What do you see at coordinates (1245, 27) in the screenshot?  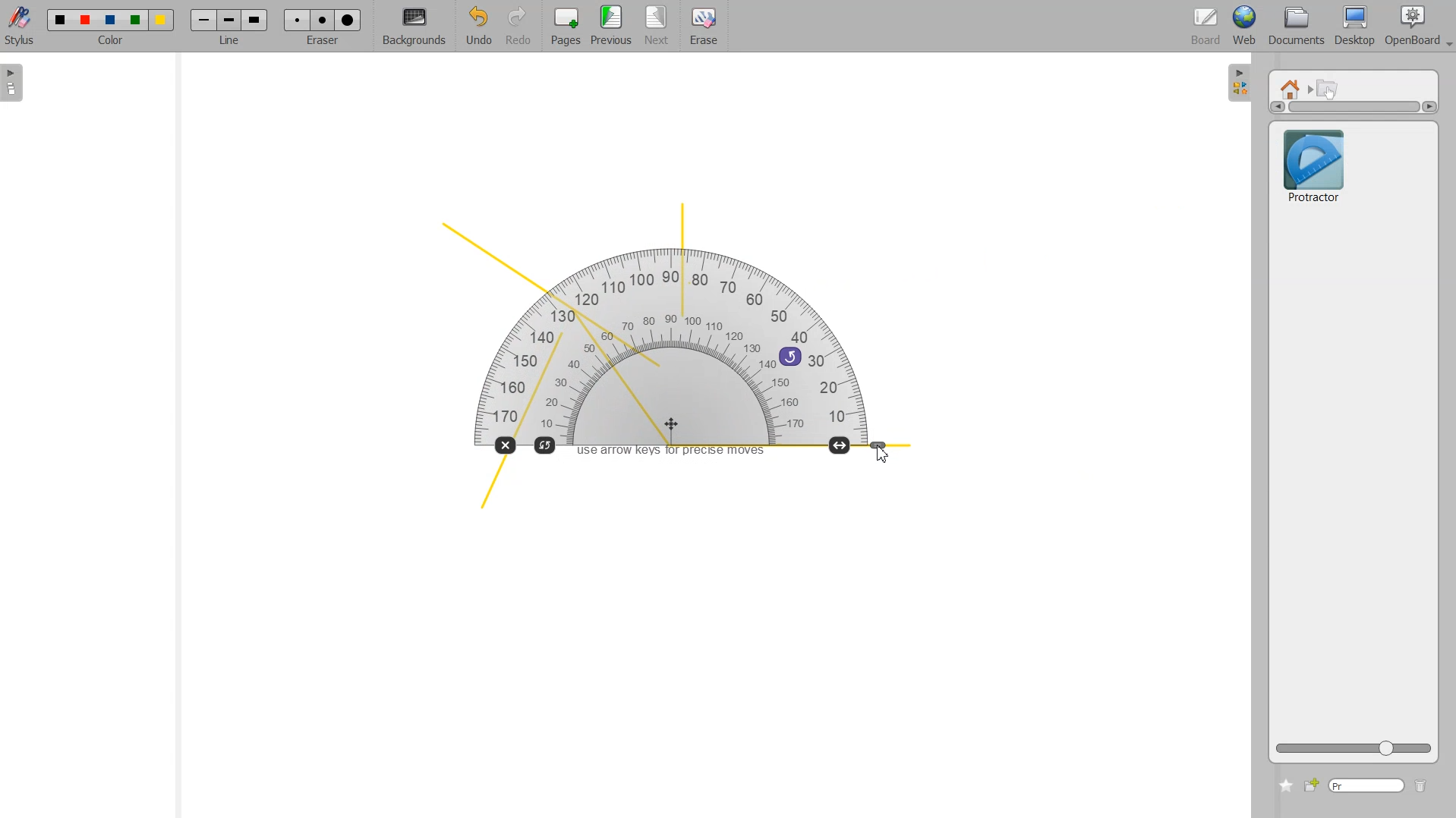 I see `Web` at bounding box center [1245, 27].